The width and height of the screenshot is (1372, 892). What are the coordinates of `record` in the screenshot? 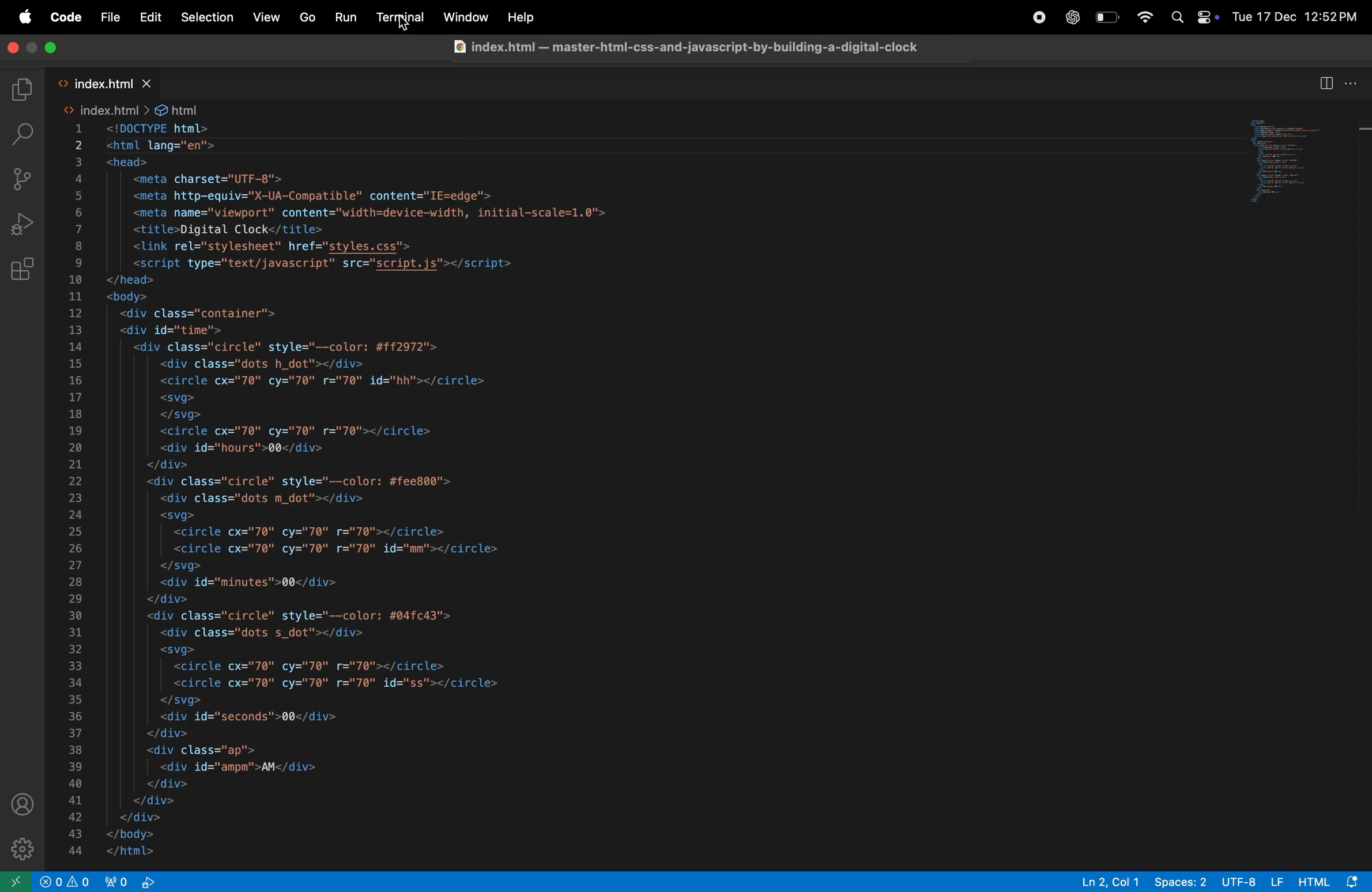 It's located at (1034, 16).